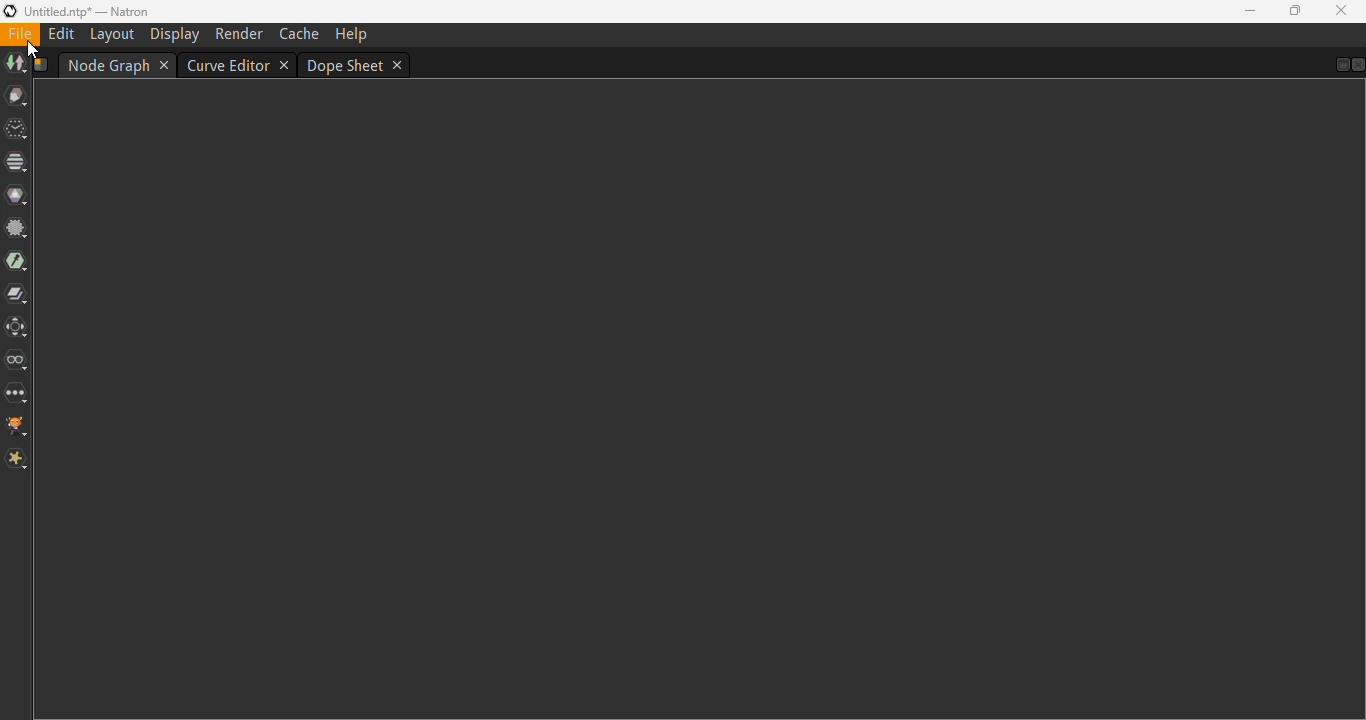  I want to click on logo, so click(10, 11).